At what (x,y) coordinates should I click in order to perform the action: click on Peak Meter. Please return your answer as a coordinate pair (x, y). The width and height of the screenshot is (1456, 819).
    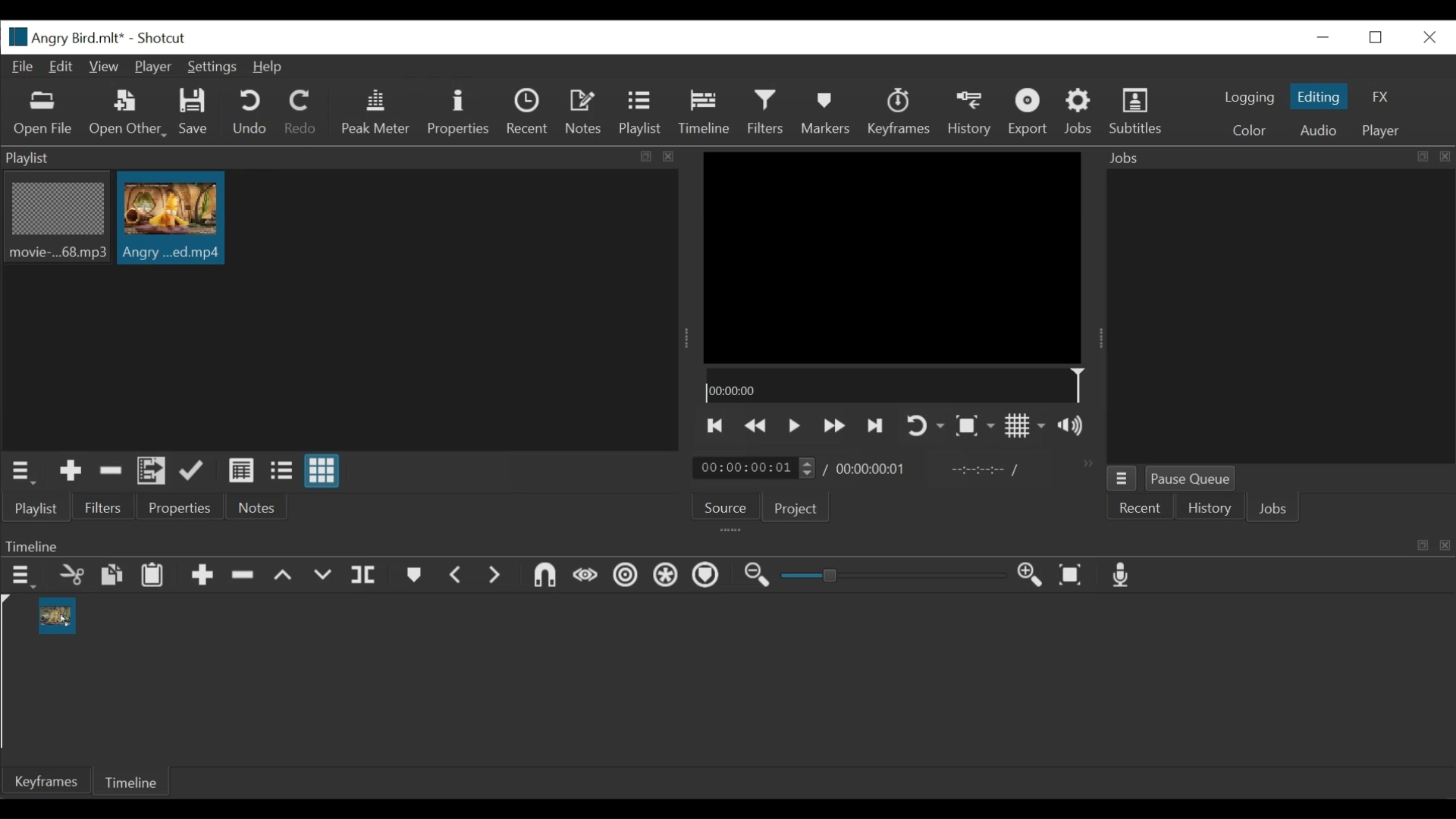
    Looking at the image, I should click on (376, 112).